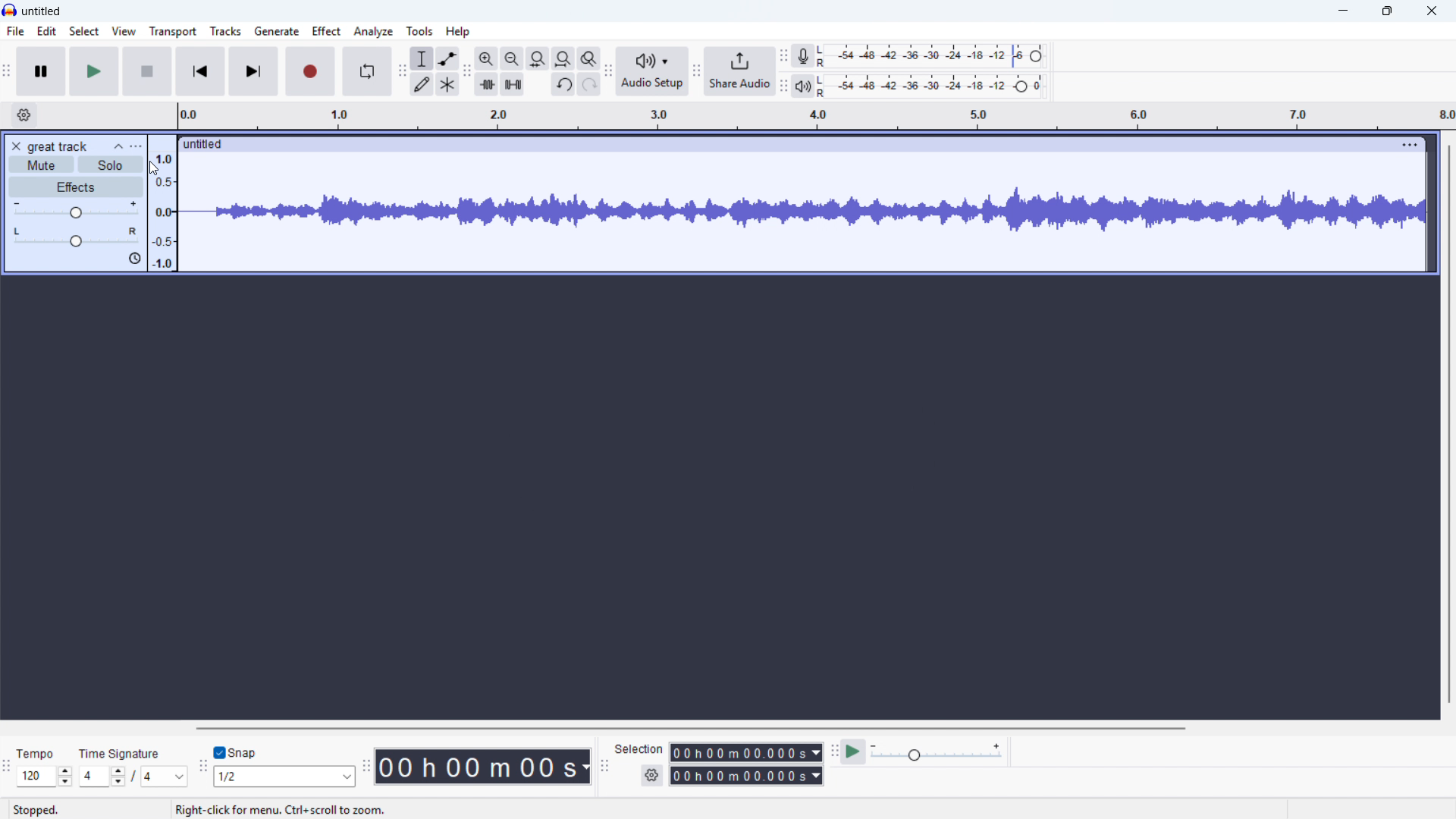  I want to click on Collapse , so click(117, 146).